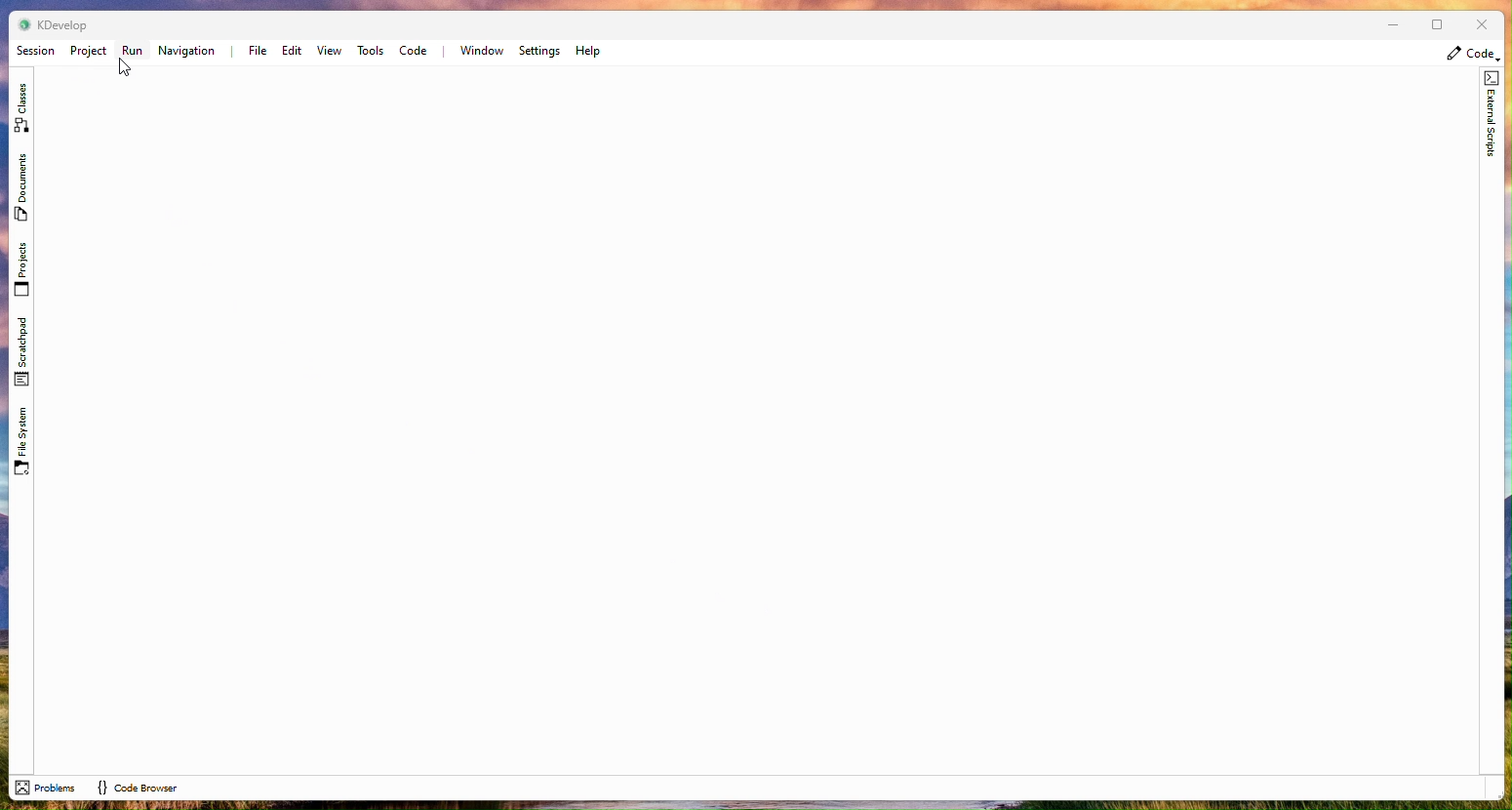 Image resolution: width=1512 pixels, height=810 pixels. I want to click on kdevelop, so click(63, 24).